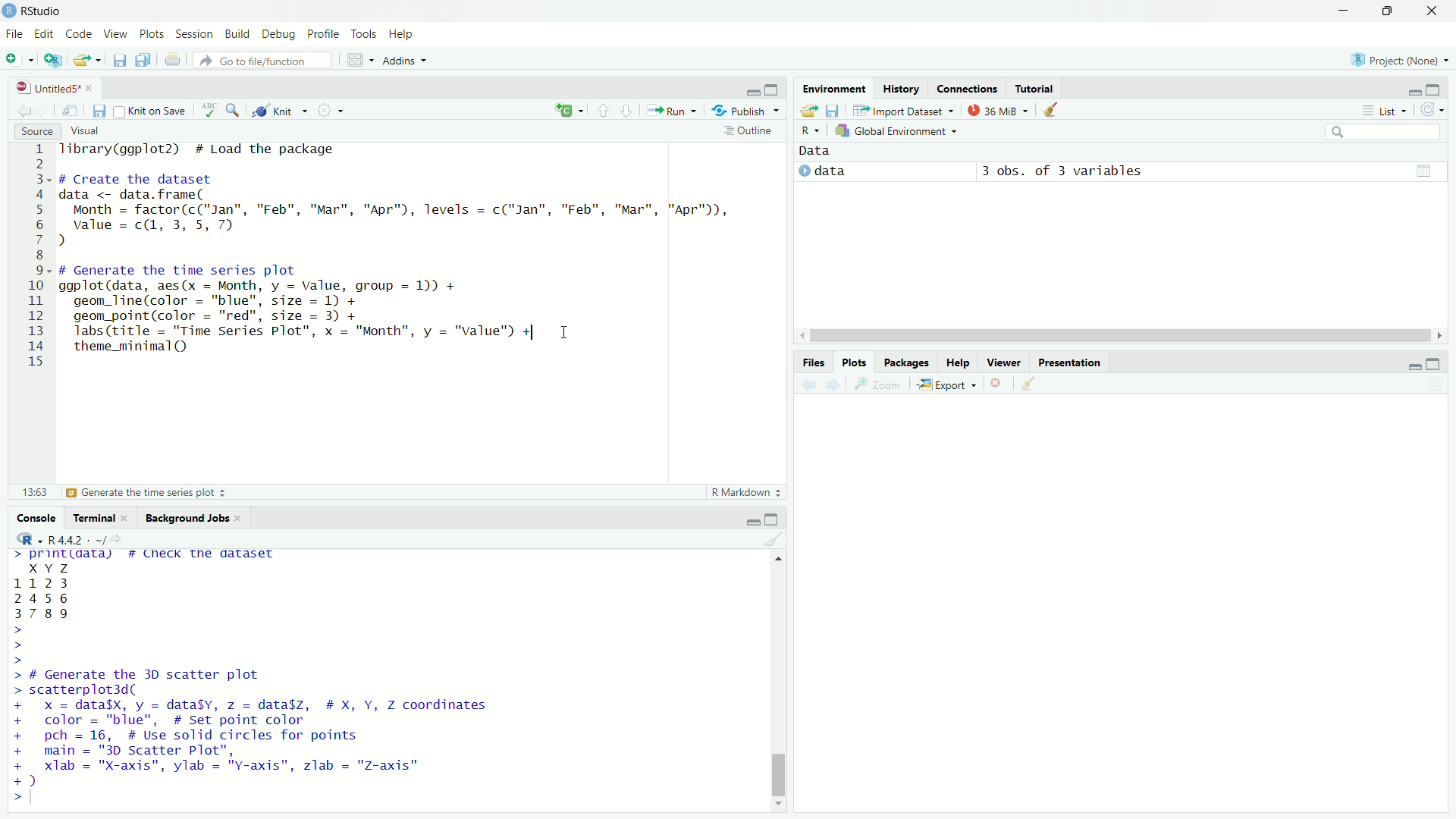 The image size is (1456, 819). Describe the element at coordinates (1116, 337) in the screenshot. I see `scrollbar` at that location.